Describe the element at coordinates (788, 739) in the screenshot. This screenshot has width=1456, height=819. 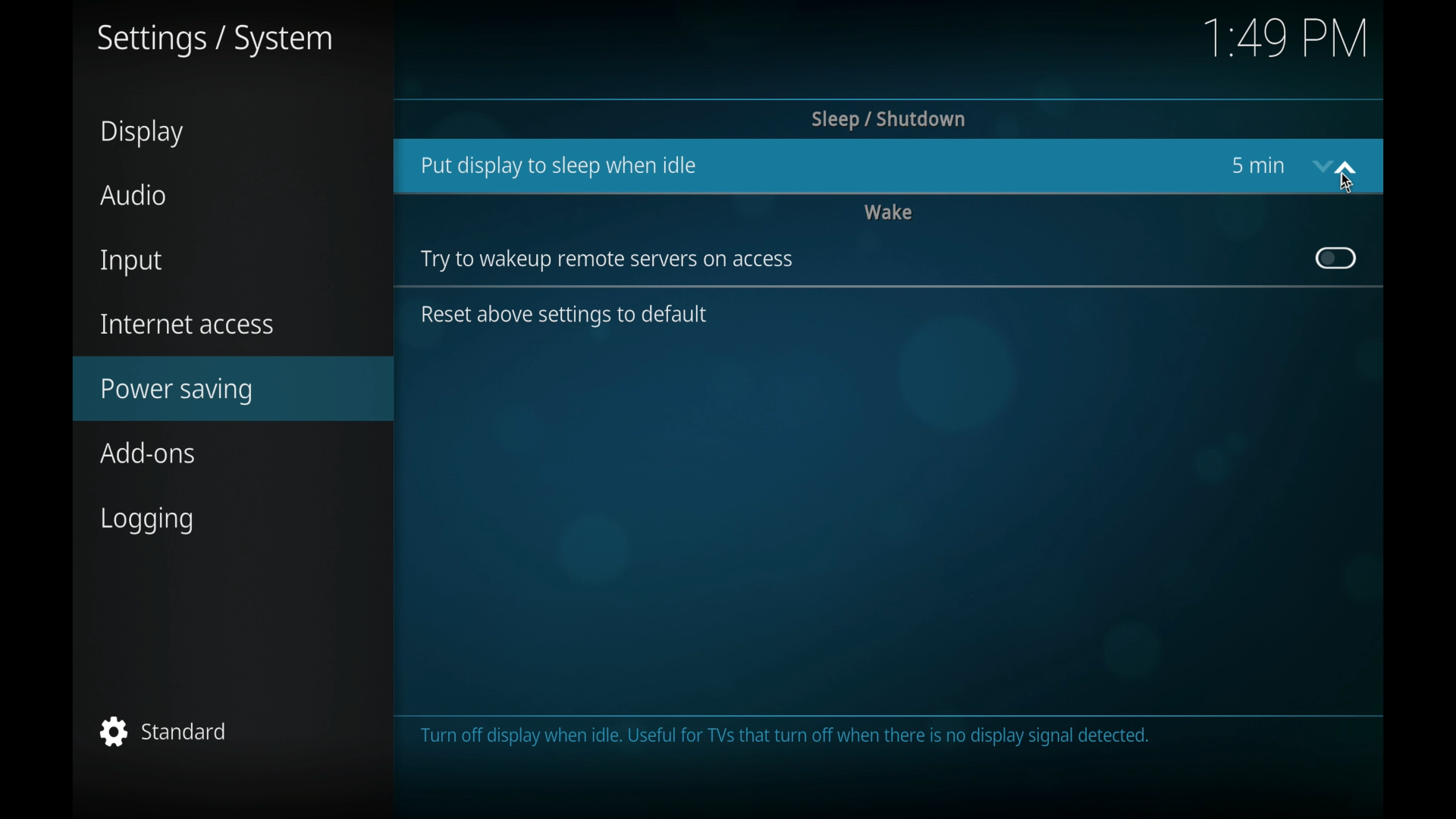
I see `Turn off display when idle. Useful for TVs that turn off when there is no display signal detected.` at that location.